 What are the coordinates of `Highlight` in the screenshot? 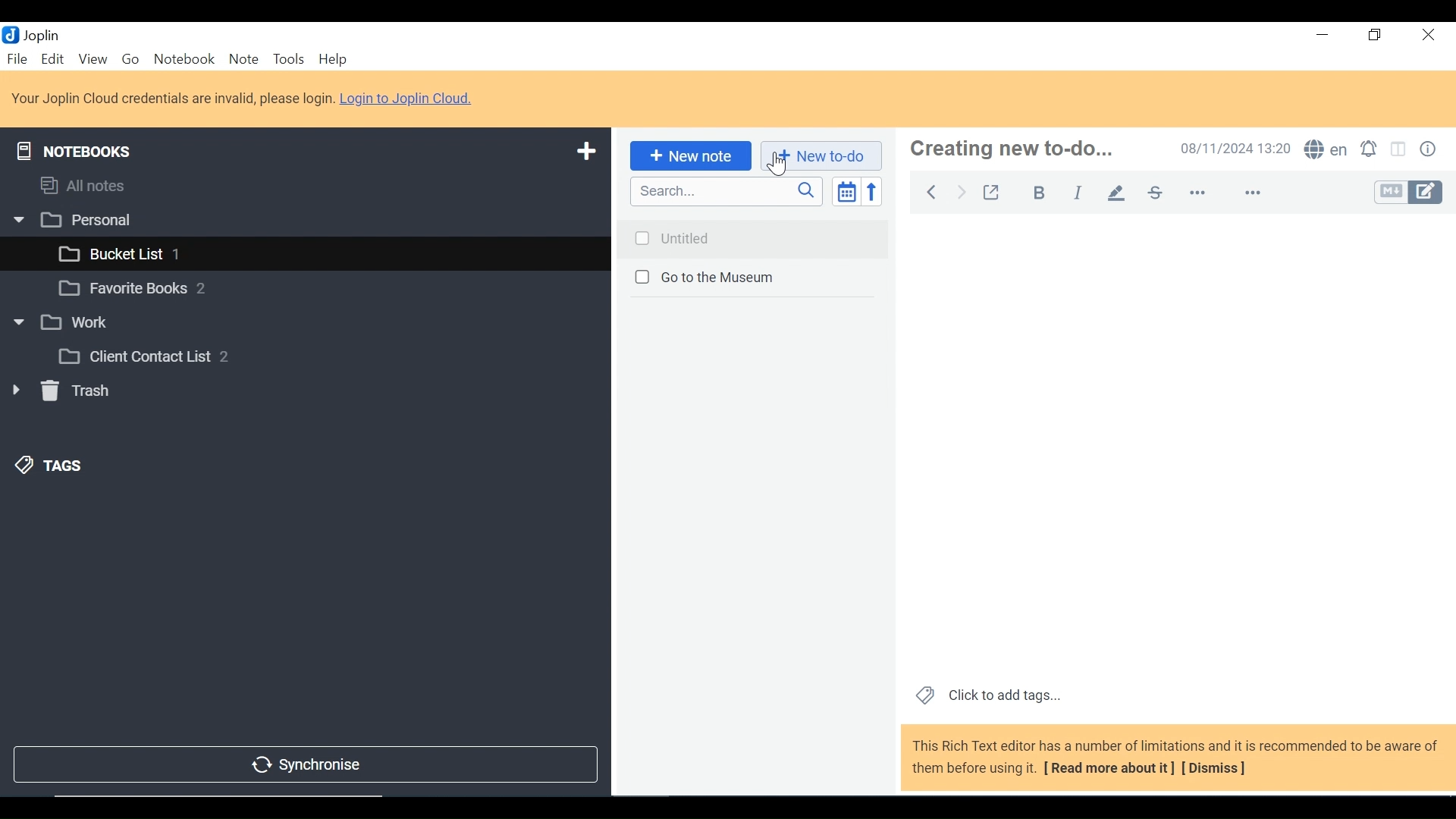 It's located at (1121, 192).